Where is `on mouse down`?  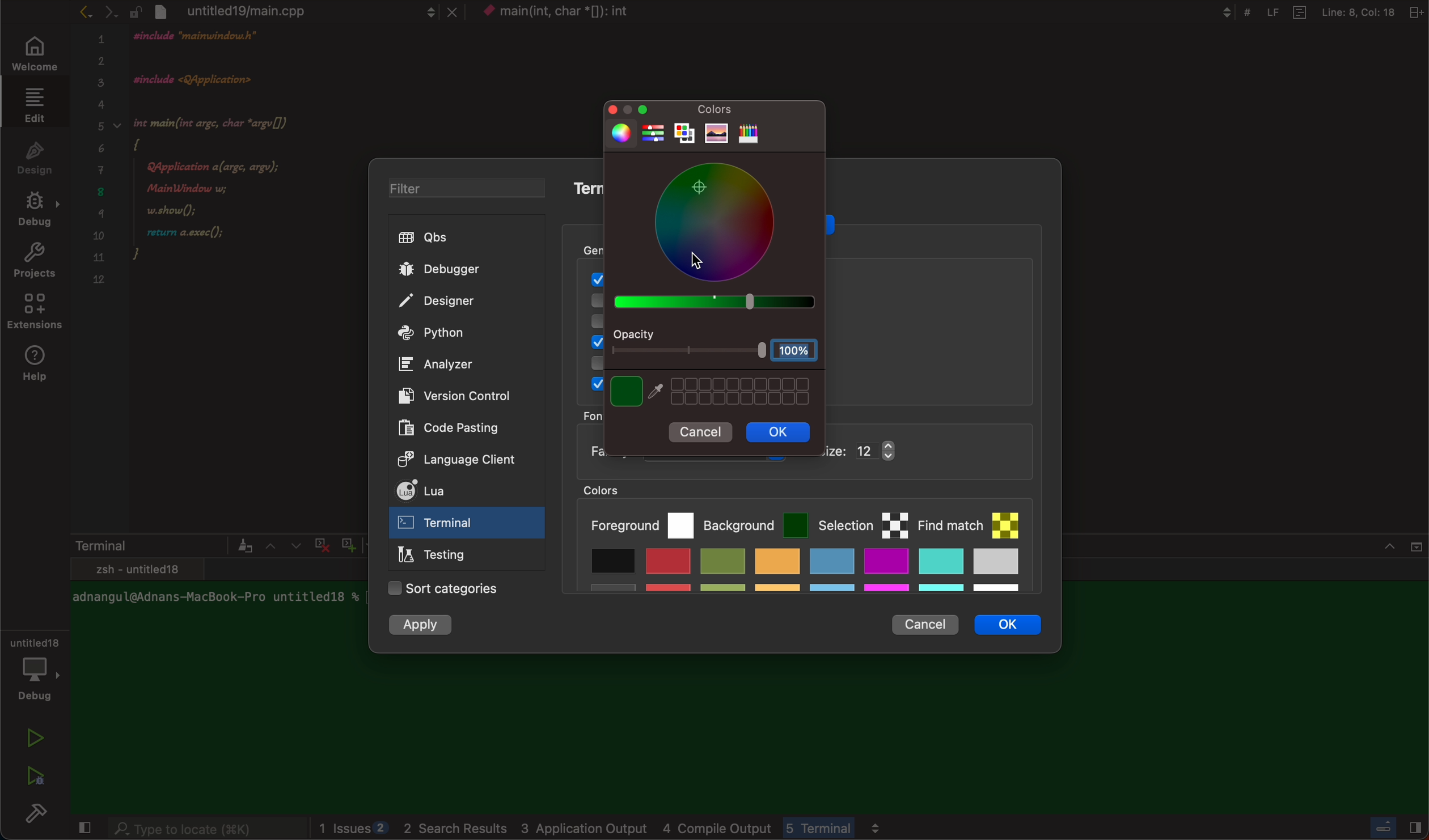 on mouse down is located at coordinates (467, 525).